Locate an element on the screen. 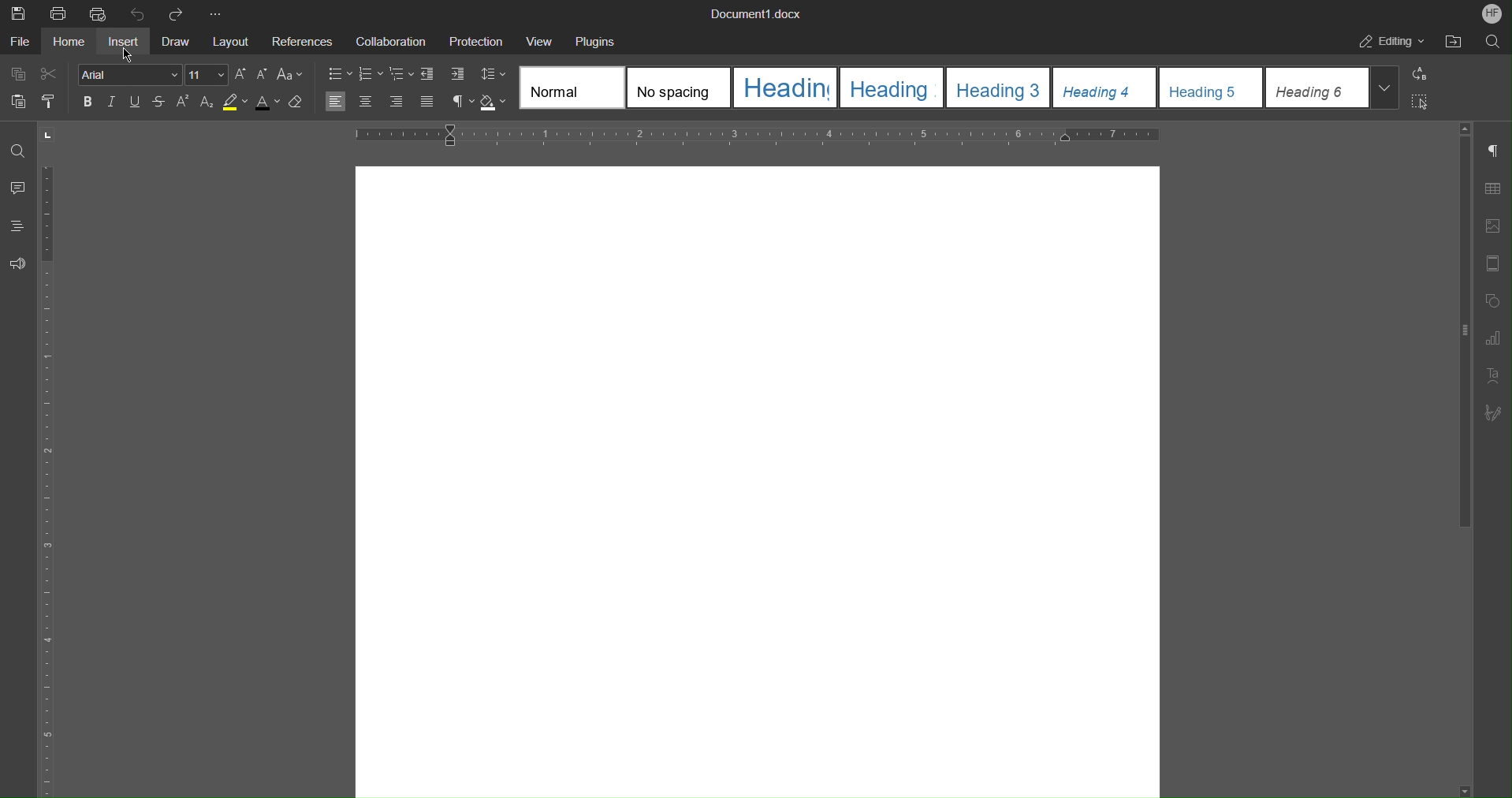 Image resolution: width=1512 pixels, height=798 pixels. Copy Style is located at coordinates (52, 101).